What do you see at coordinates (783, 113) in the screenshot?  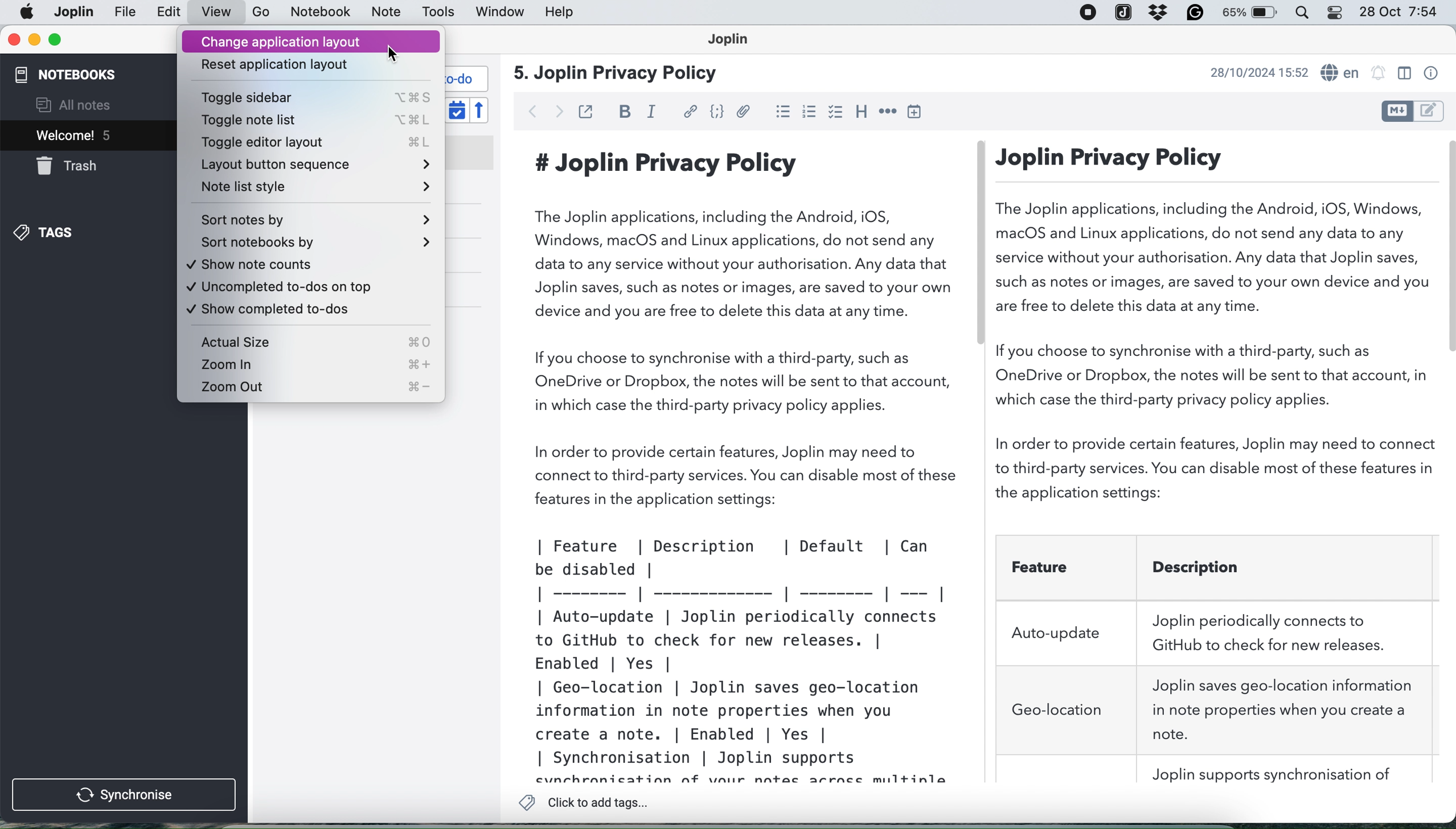 I see `bulleted list` at bounding box center [783, 113].